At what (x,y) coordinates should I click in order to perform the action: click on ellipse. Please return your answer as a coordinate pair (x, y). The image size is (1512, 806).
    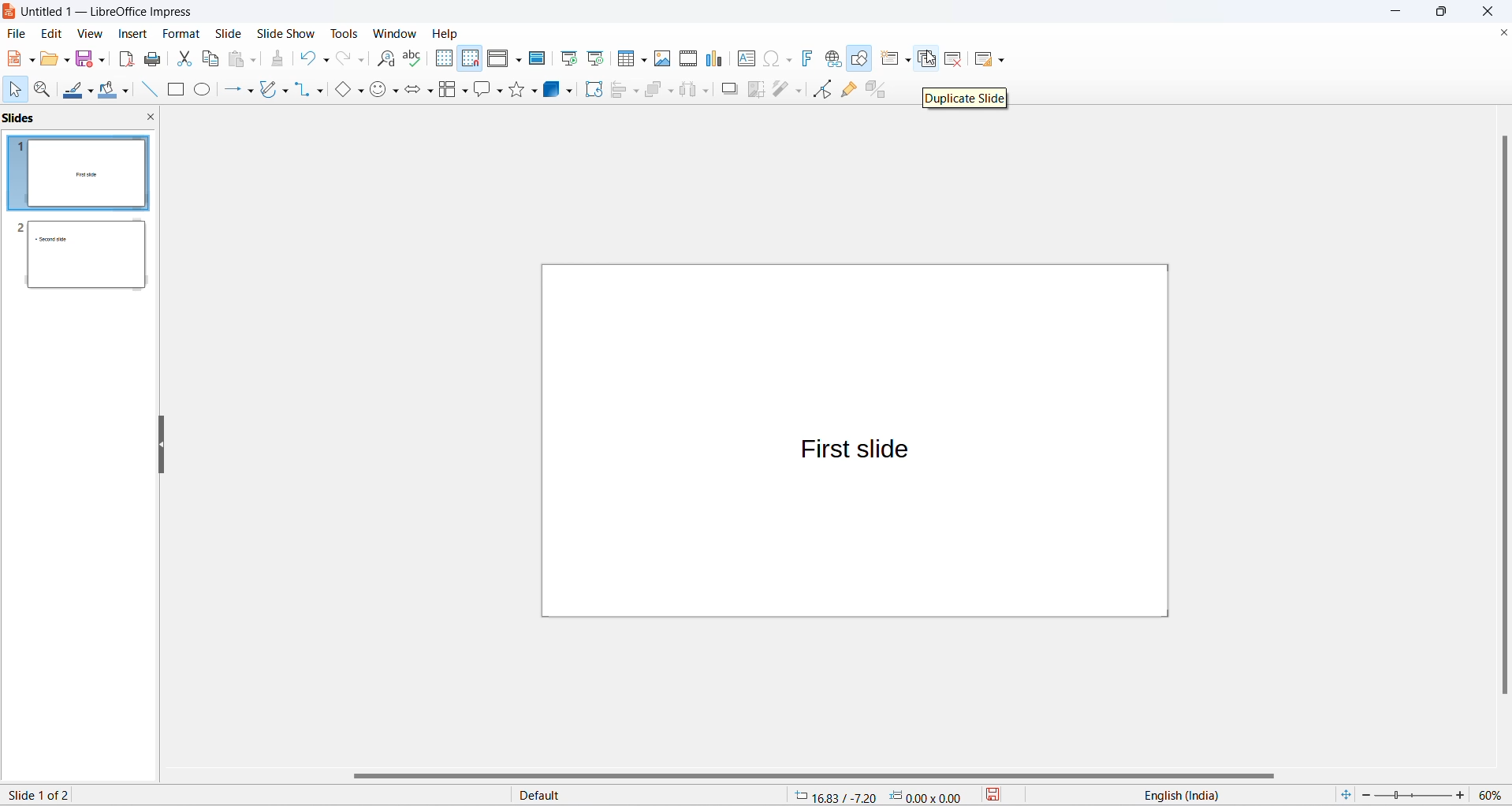
    Looking at the image, I should click on (203, 91).